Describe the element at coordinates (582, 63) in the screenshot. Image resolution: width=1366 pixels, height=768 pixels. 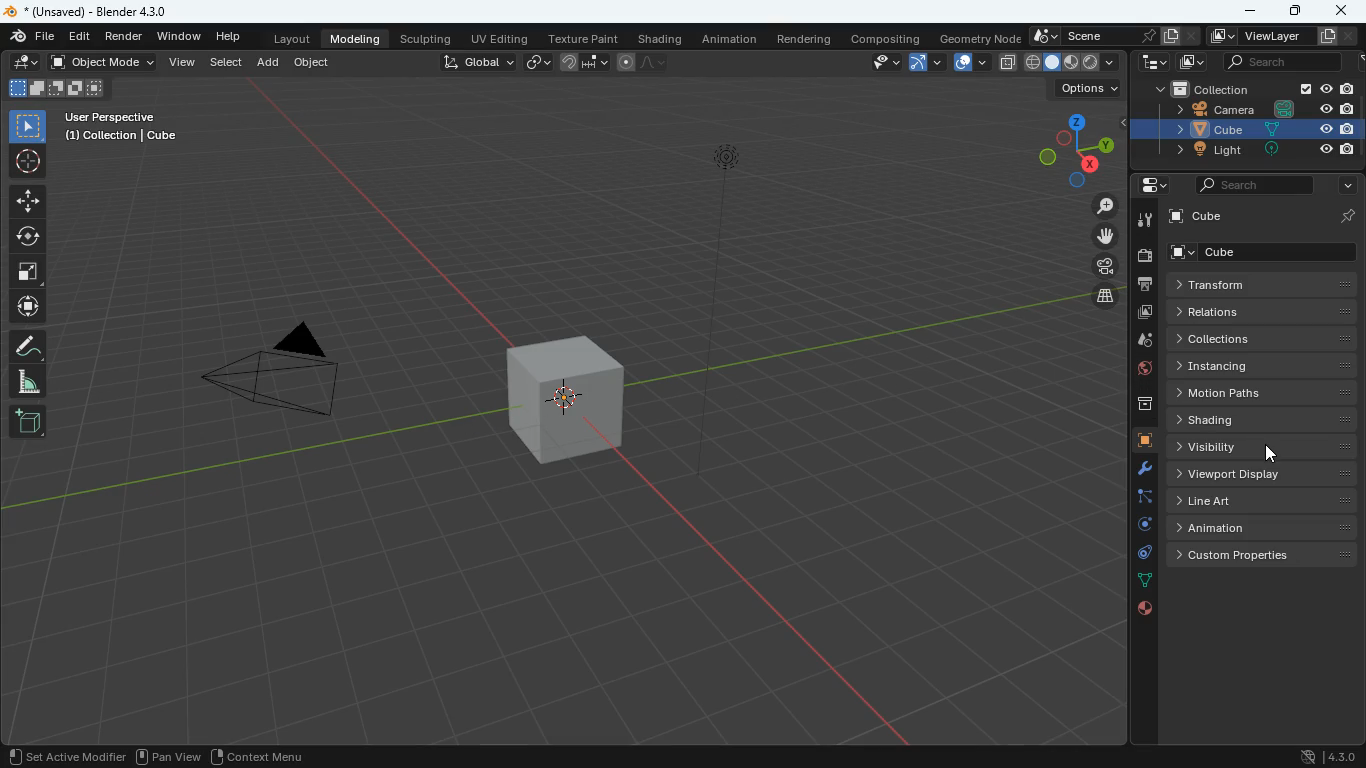
I see `join` at that location.